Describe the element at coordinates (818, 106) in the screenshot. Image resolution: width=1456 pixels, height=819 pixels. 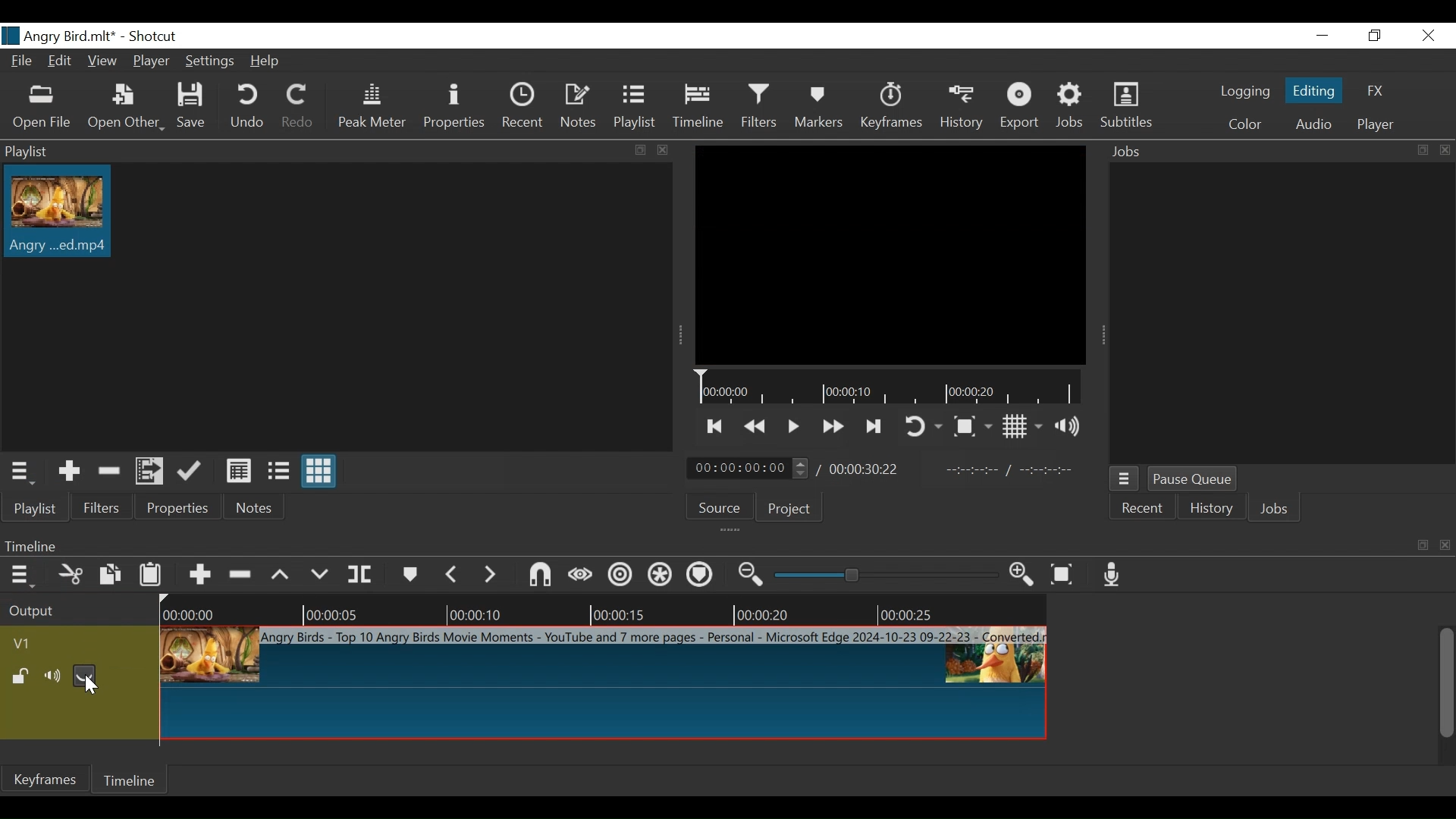
I see `Markers` at that location.